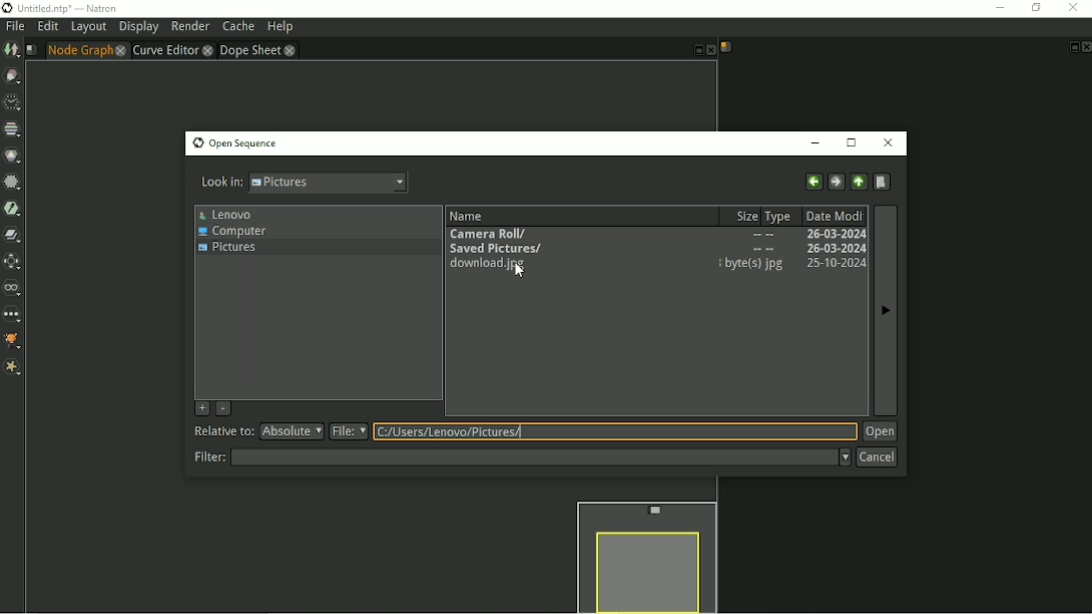 The width and height of the screenshot is (1092, 614). Describe the element at coordinates (13, 369) in the screenshot. I see `Extra` at that location.